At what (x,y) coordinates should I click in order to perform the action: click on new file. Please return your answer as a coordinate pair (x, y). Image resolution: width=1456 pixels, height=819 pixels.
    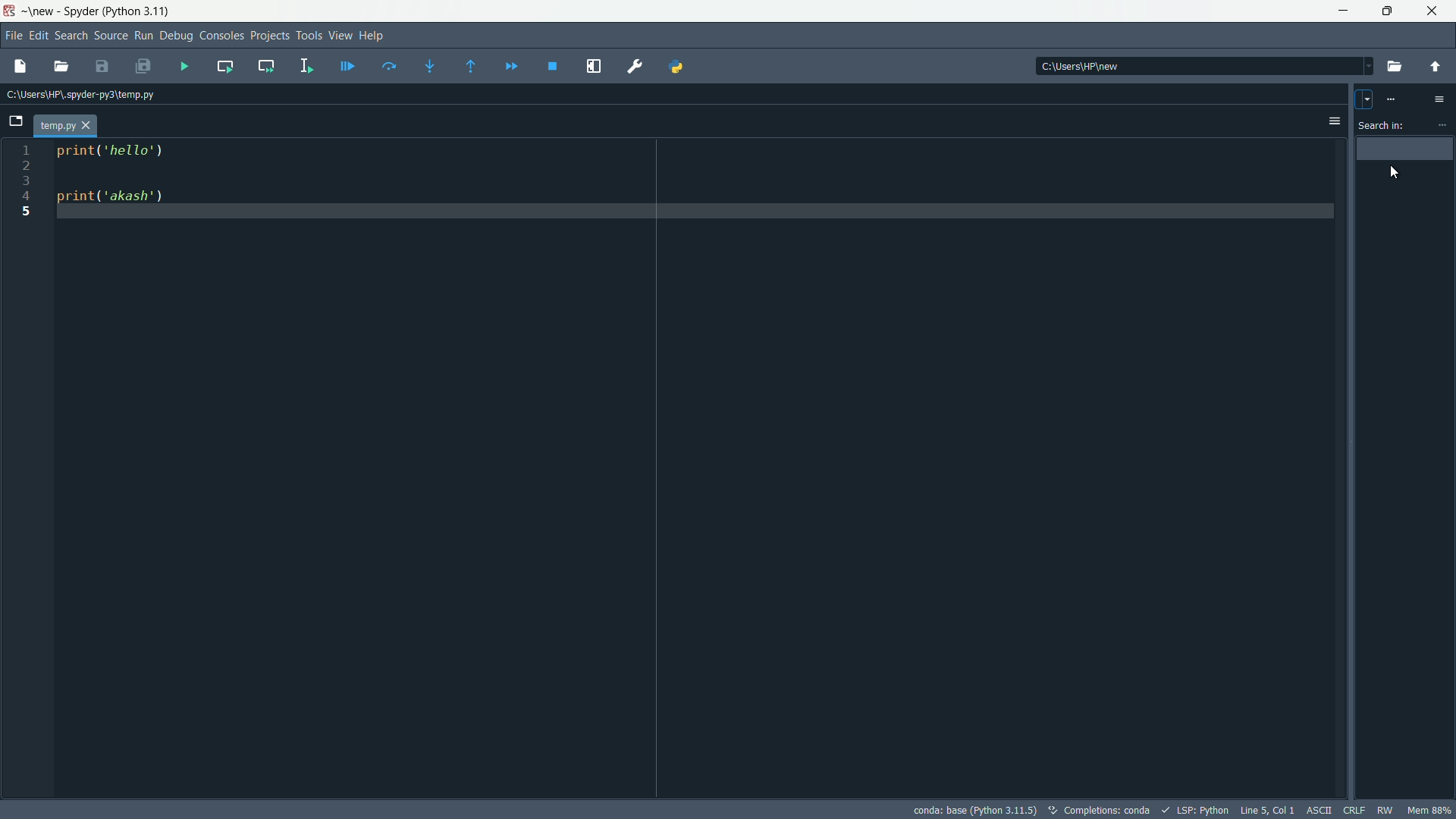
    Looking at the image, I should click on (25, 67).